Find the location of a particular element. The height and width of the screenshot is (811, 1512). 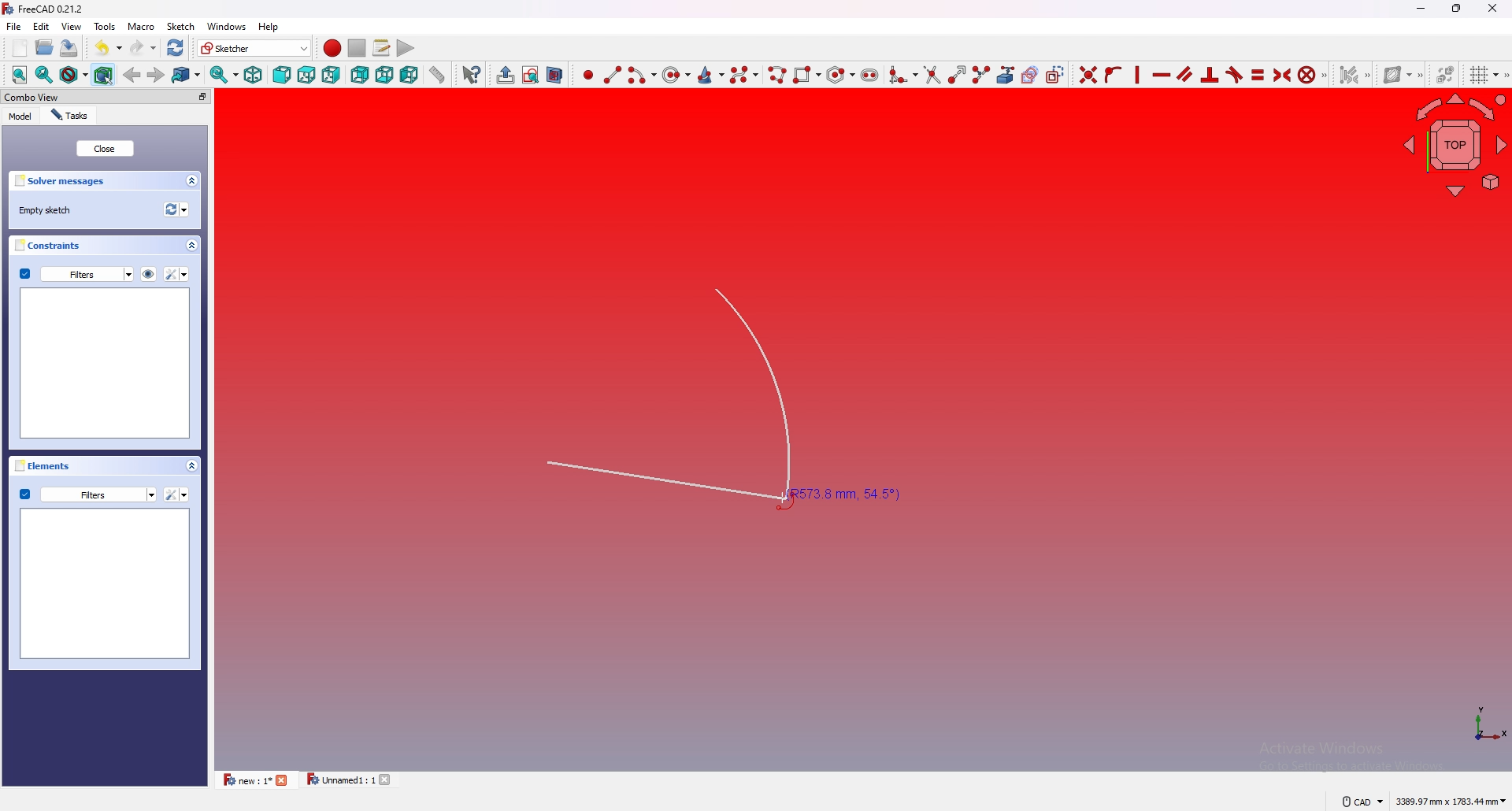

settings is located at coordinates (178, 274).